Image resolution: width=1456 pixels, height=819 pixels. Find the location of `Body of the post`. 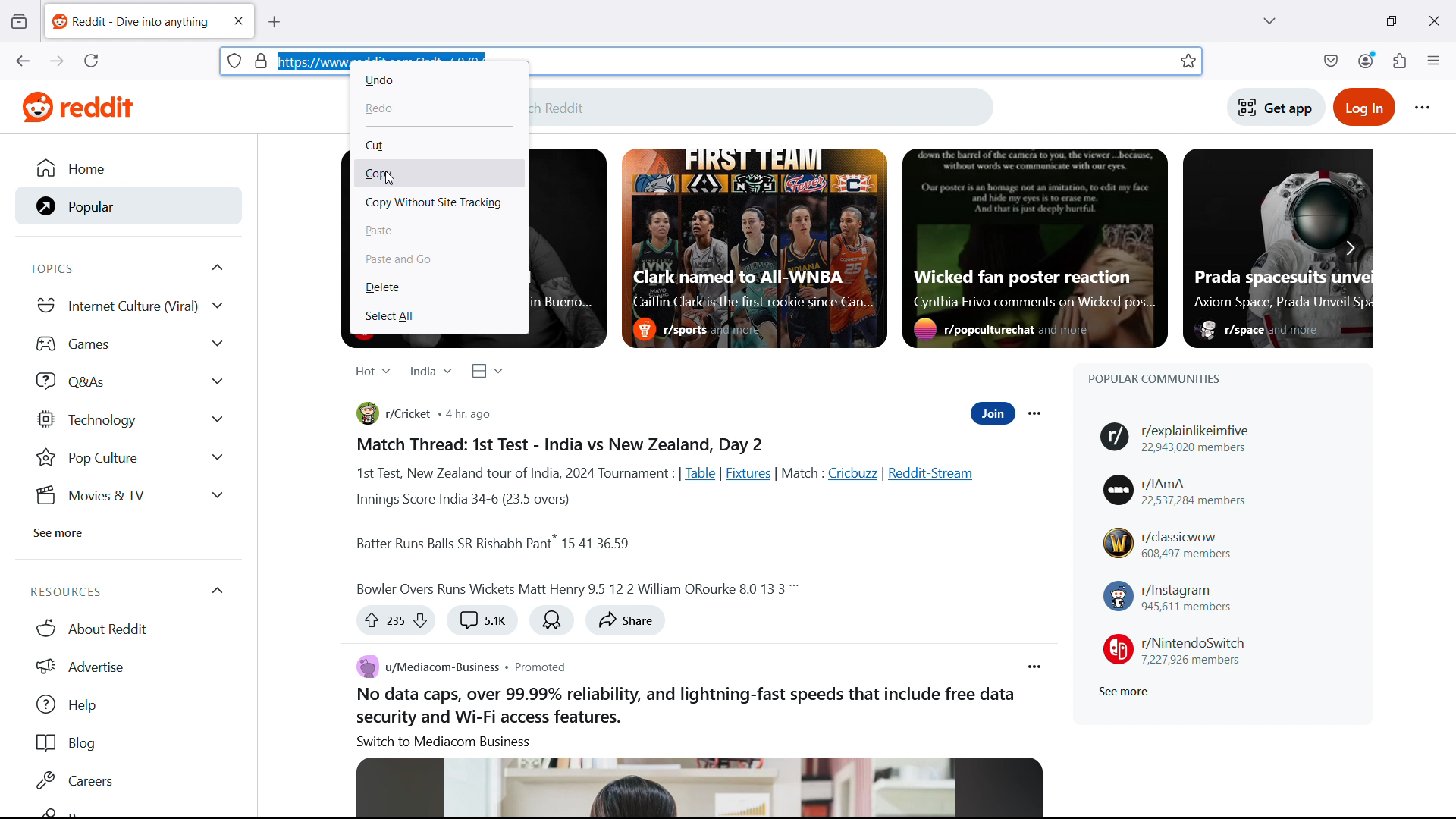

Body of the post is located at coordinates (682, 717).